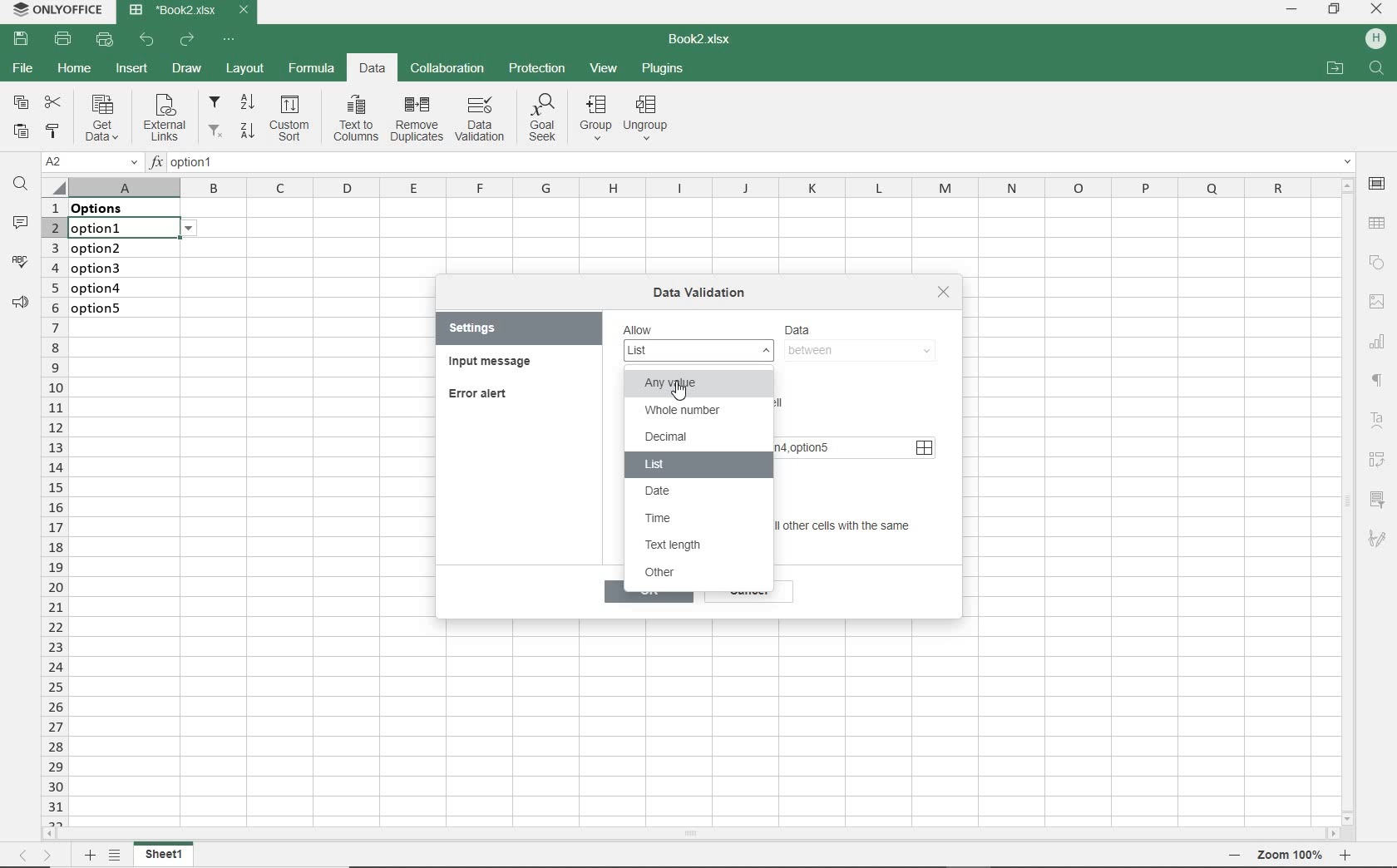 The width and height of the screenshot is (1397, 868). What do you see at coordinates (1378, 70) in the screenshot?
I see `search` at bounding box center [1378, 70].